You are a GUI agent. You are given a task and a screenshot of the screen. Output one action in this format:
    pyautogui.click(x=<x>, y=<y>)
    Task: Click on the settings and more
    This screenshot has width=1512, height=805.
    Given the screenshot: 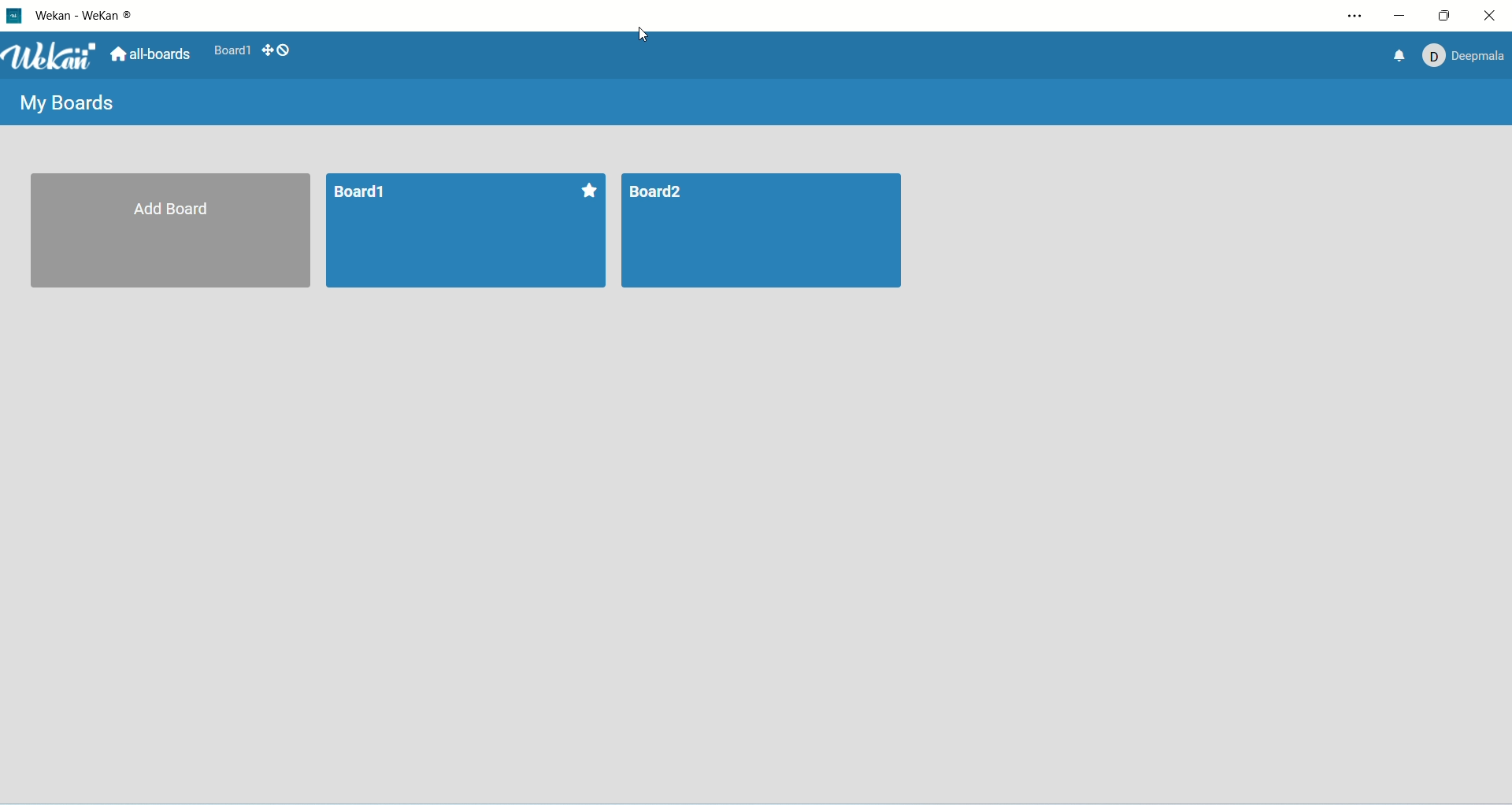 What is the action you would take?
    pyautogui.click(x=1355, y=17)
    